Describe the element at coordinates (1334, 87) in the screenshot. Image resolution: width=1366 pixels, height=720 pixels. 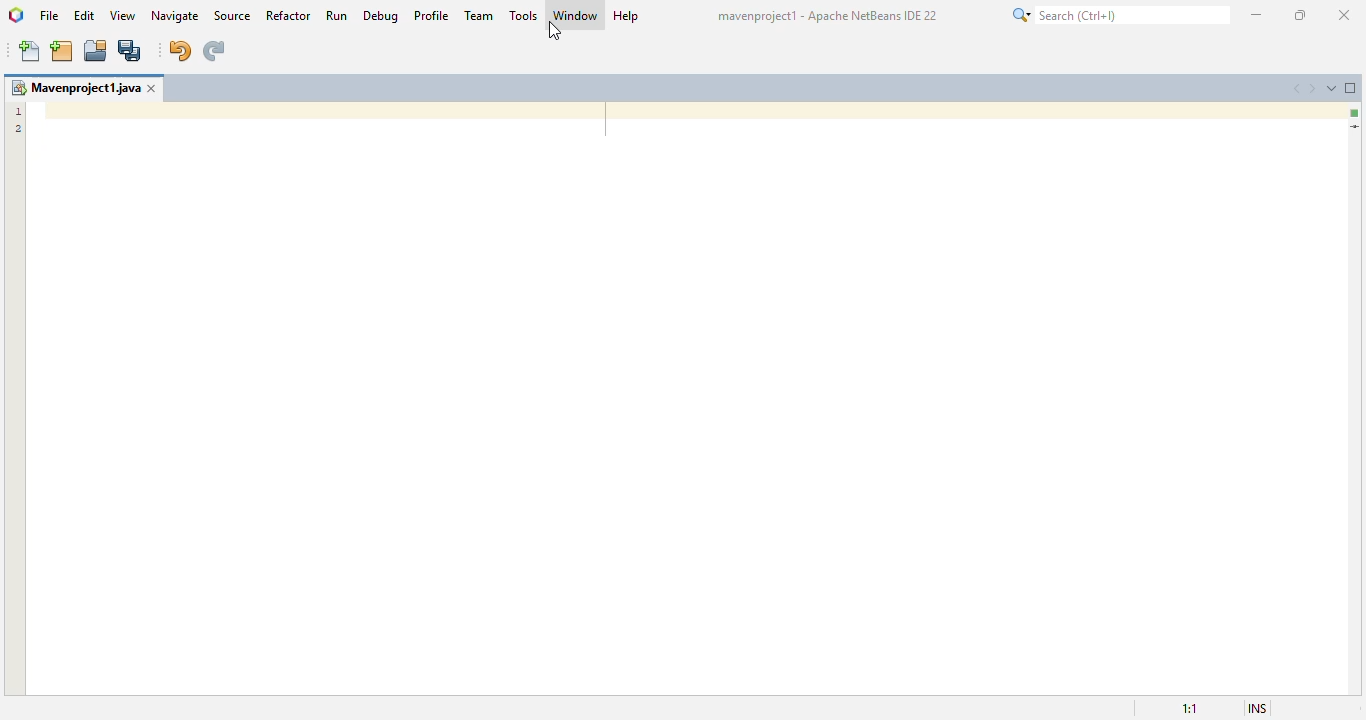
I see `show opened documents list` at that location.